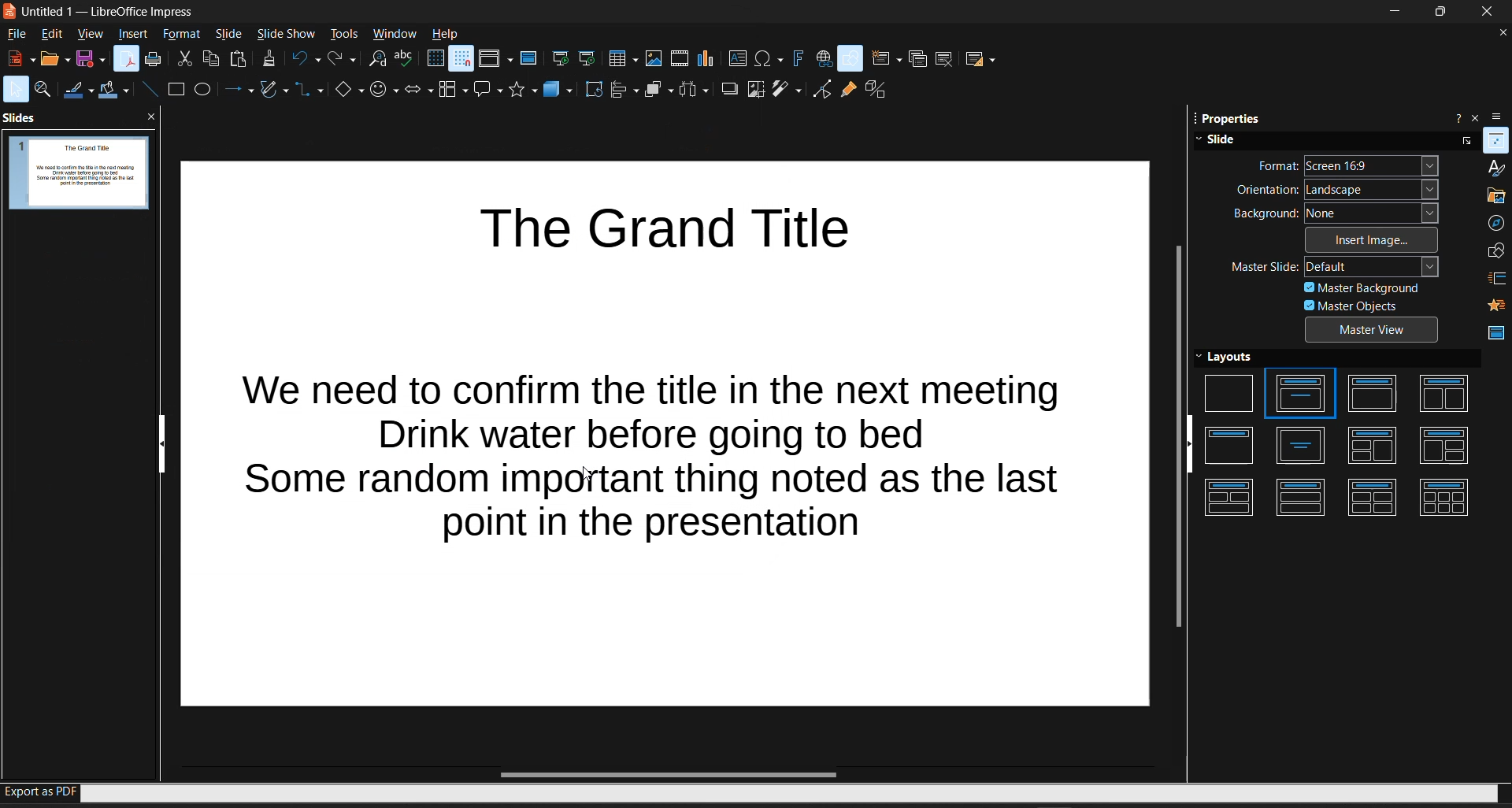 The image size is (1512, 808). What do you see at coordinates (1498, 305) in the screenshot?
I see `animation` at bounding box center [1498, 305].